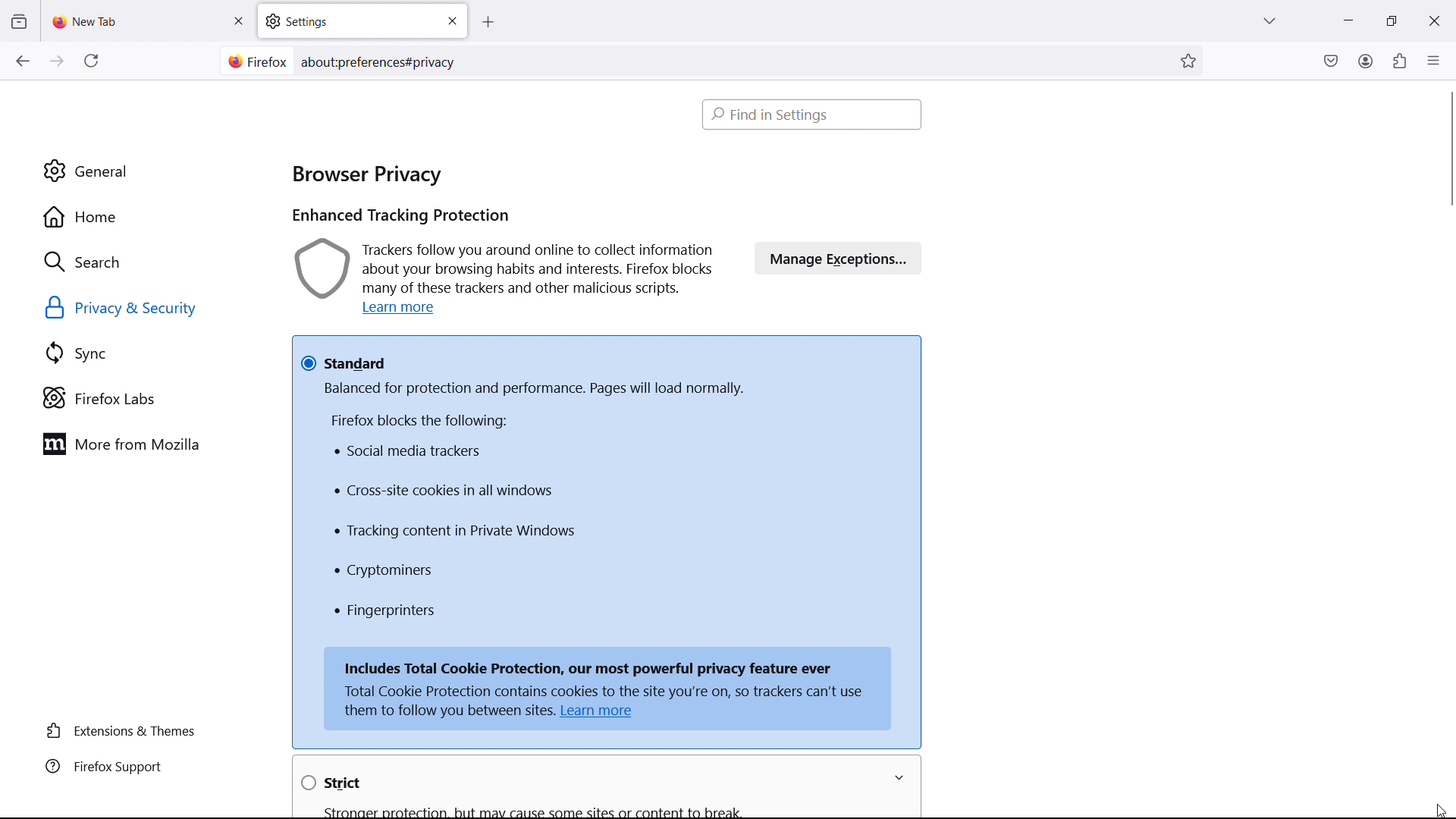 The width and height of the screenshot is (1456, 819). I want to click on extensions & themes, so click(124, 731).